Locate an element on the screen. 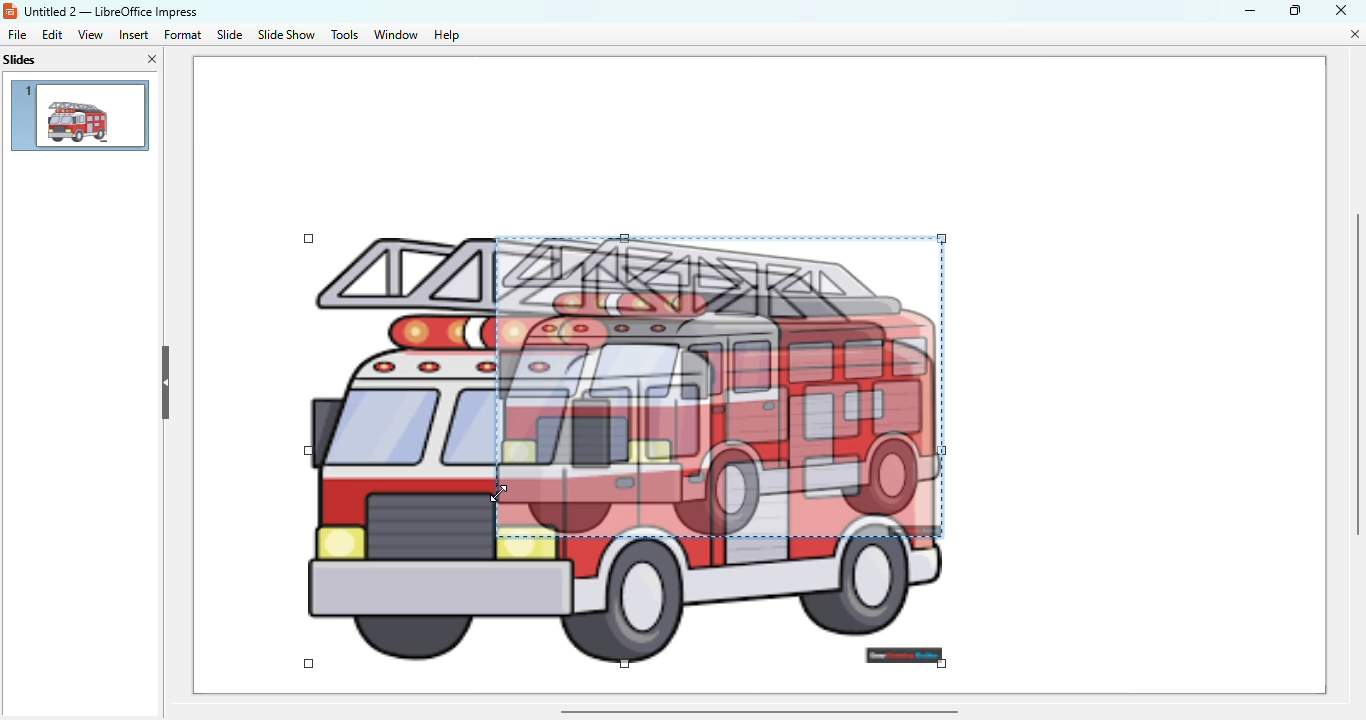 The image size is (1366, 720). help is located at coordinates (447, 35).